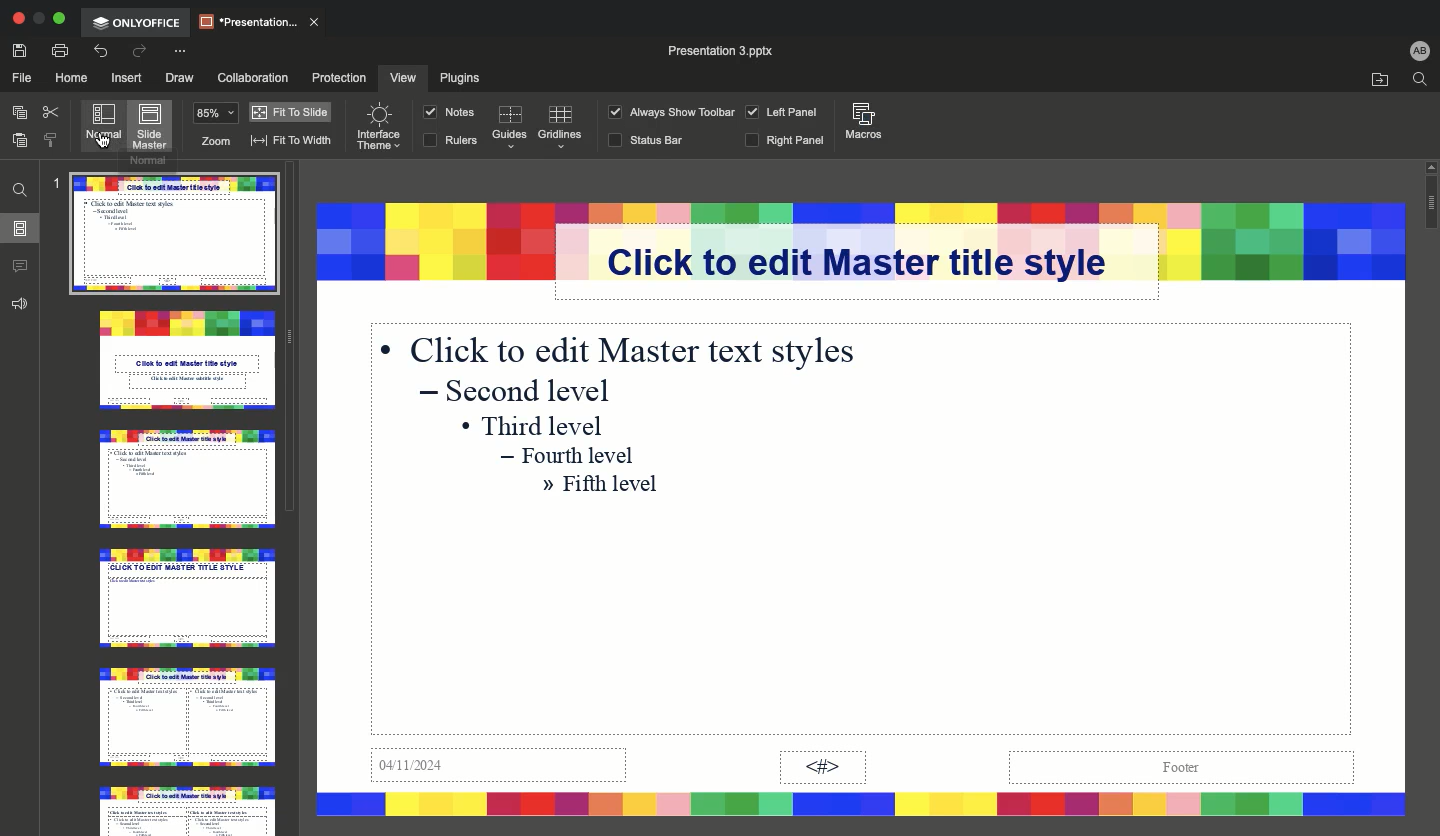 The image size is (1440, 836). I want to click on Notes, so click(449, 112).